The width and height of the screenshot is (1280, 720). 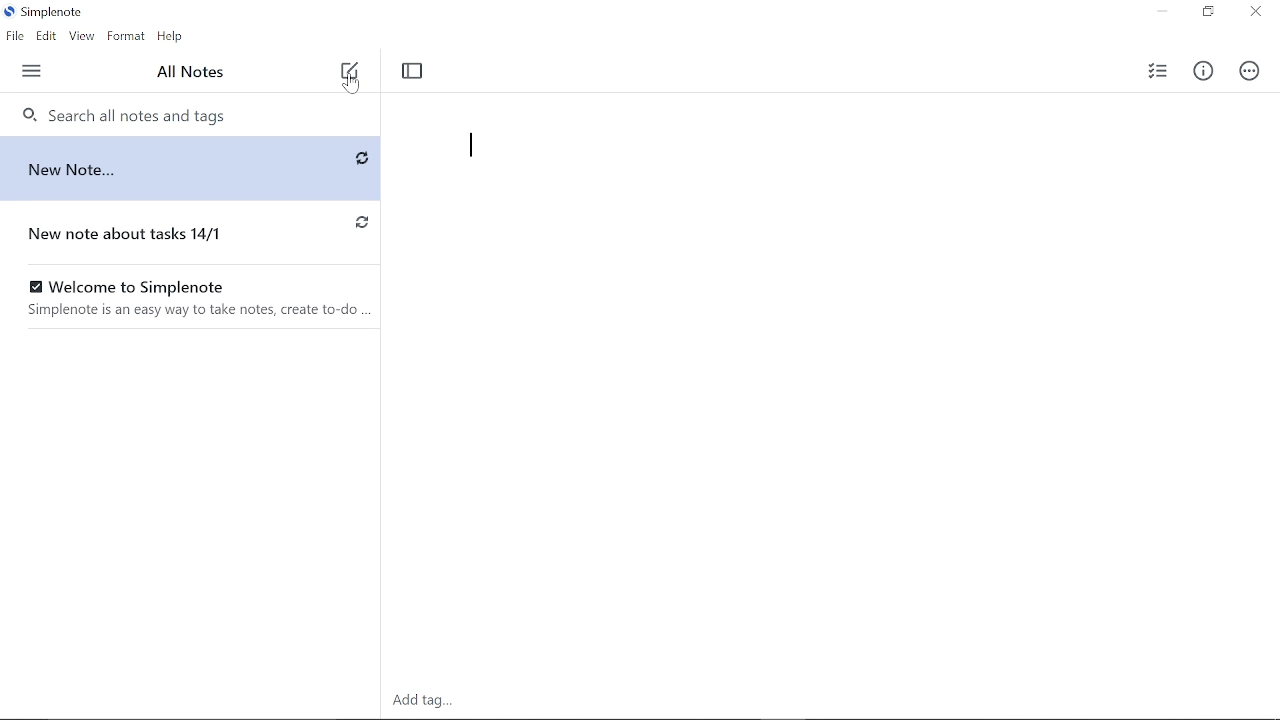 What do you see at coordinates (189, 114) in the screenshot?
I see `Search all notes and tags` at bounding box center [189, 114].